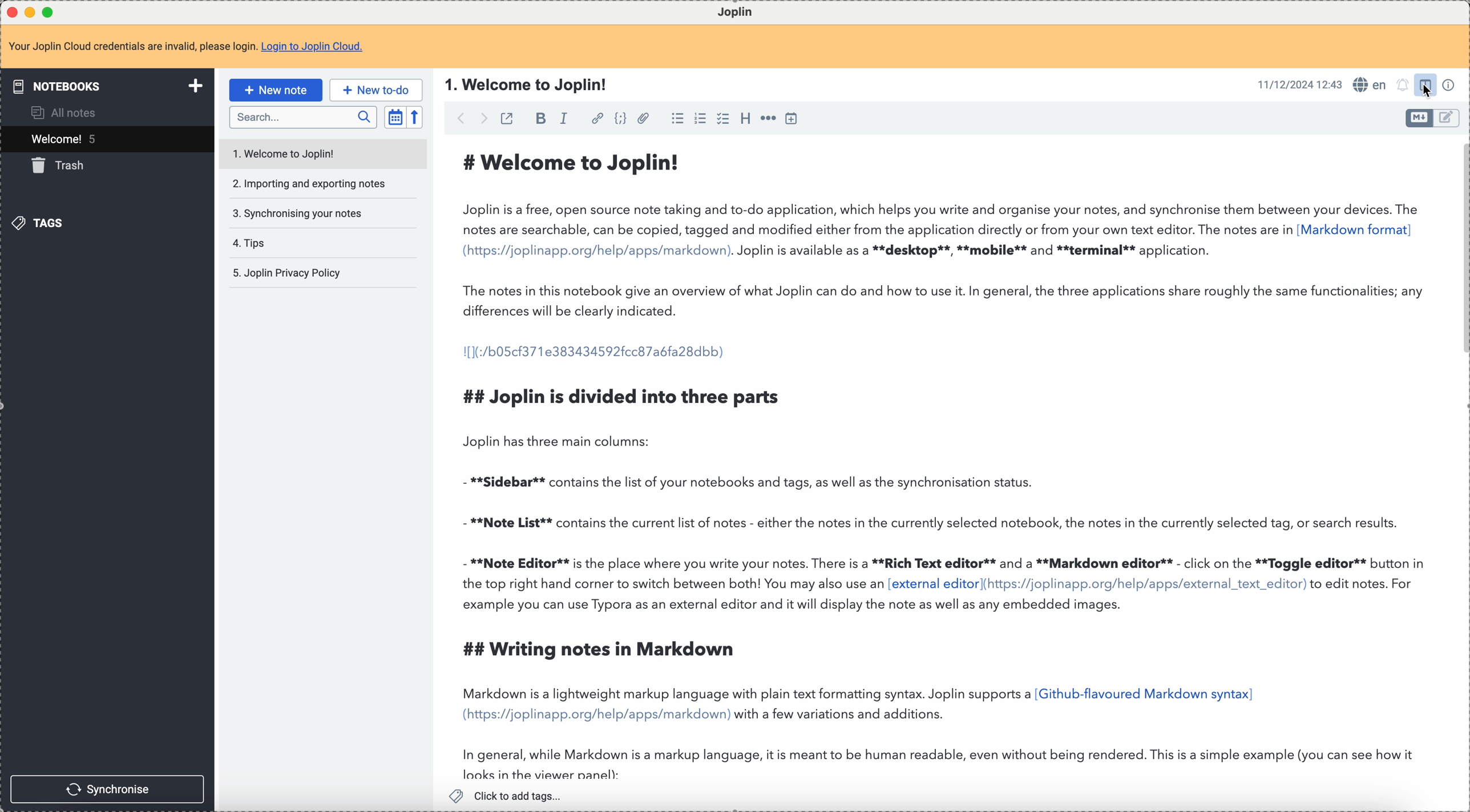 The width and height of the screenshot is (1470, 812). Describe the element at coordinates (596, 251) in the screenshot. I see `(https://joplinapp.org/help/apps/markdown)` at that location.